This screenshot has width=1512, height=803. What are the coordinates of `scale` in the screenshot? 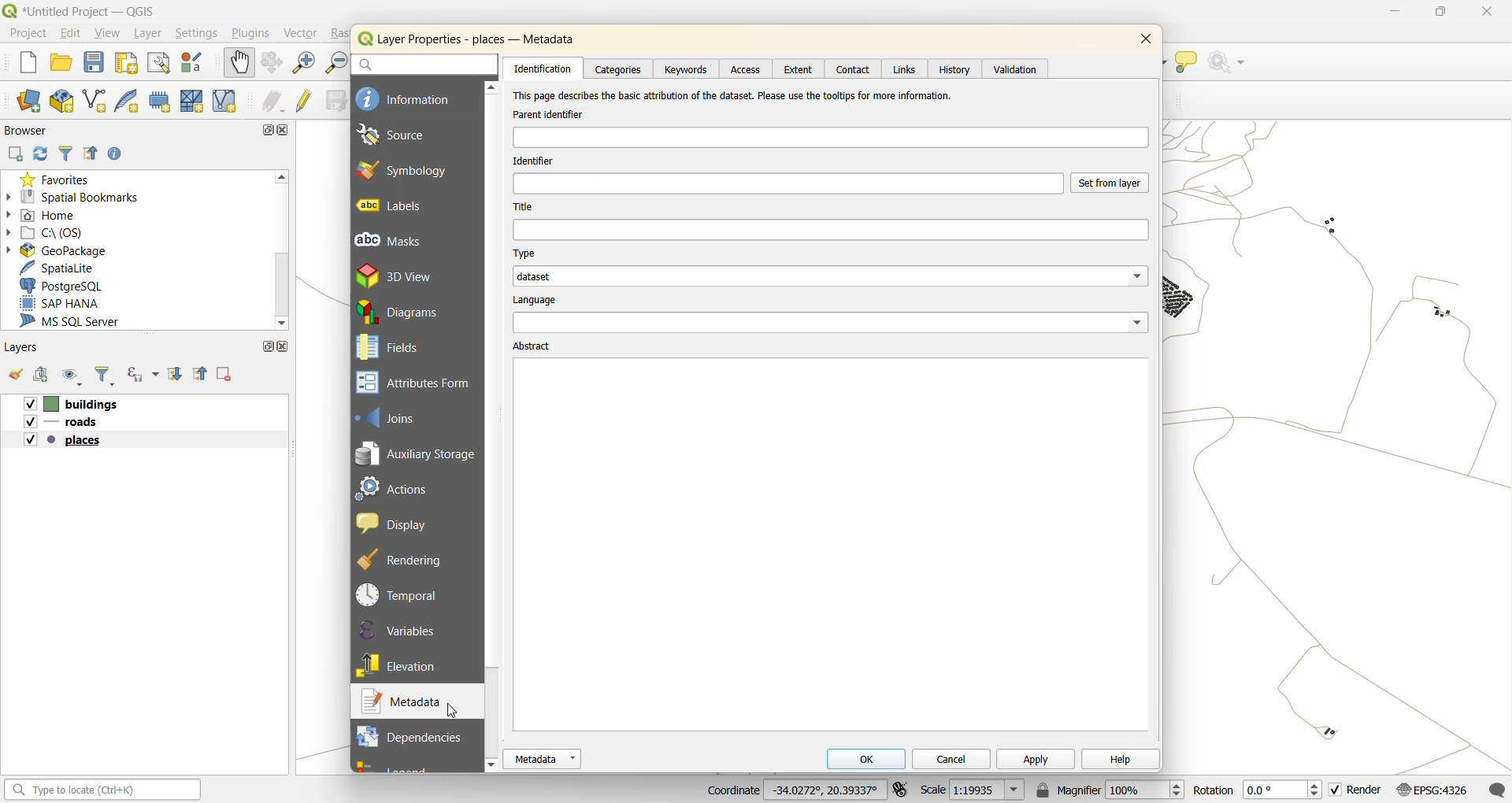 It's located at (976, 791).